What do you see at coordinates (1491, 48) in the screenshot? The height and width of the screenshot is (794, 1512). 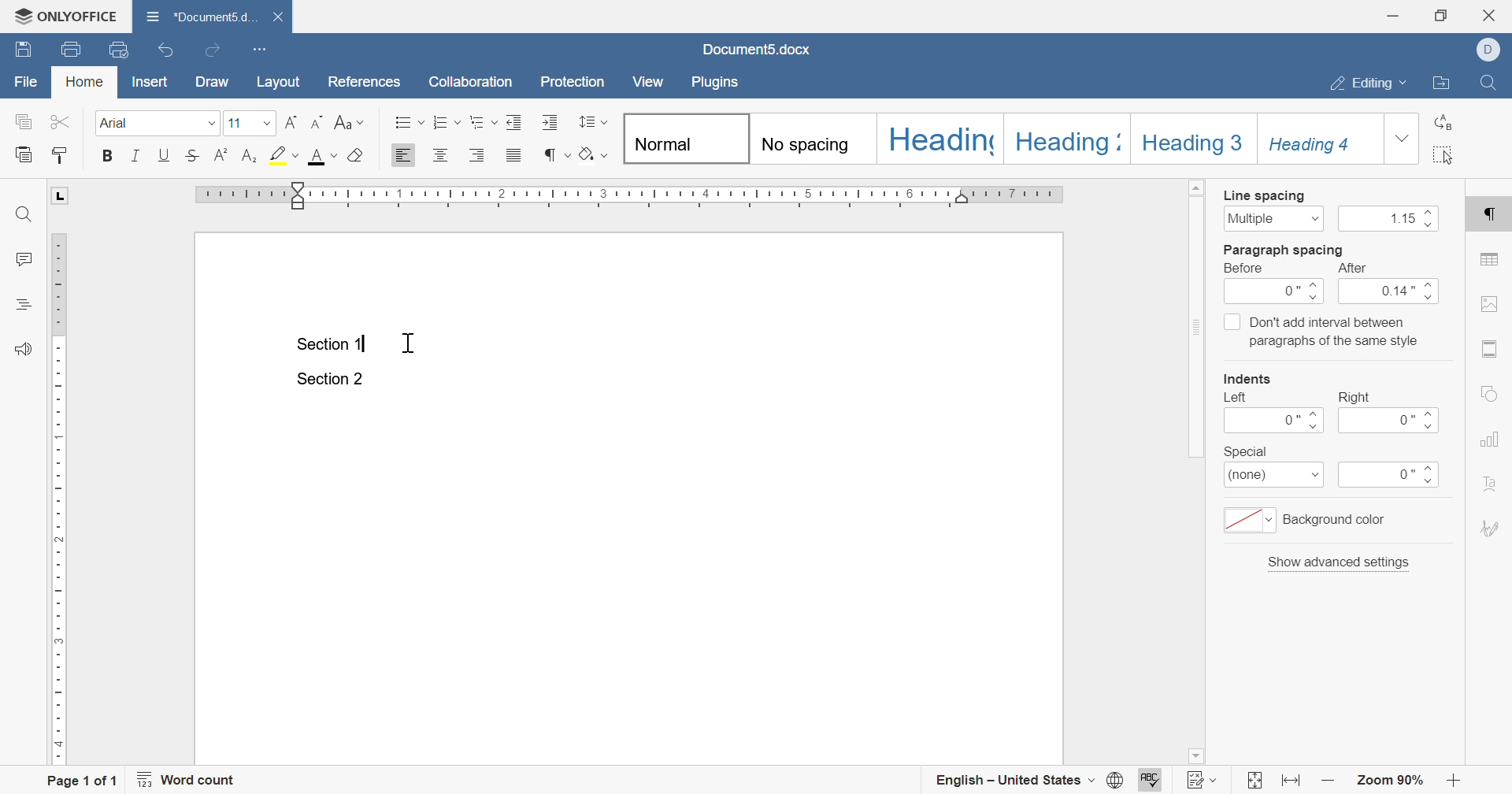 I see `Dell` at bounding box center [1491, 48].